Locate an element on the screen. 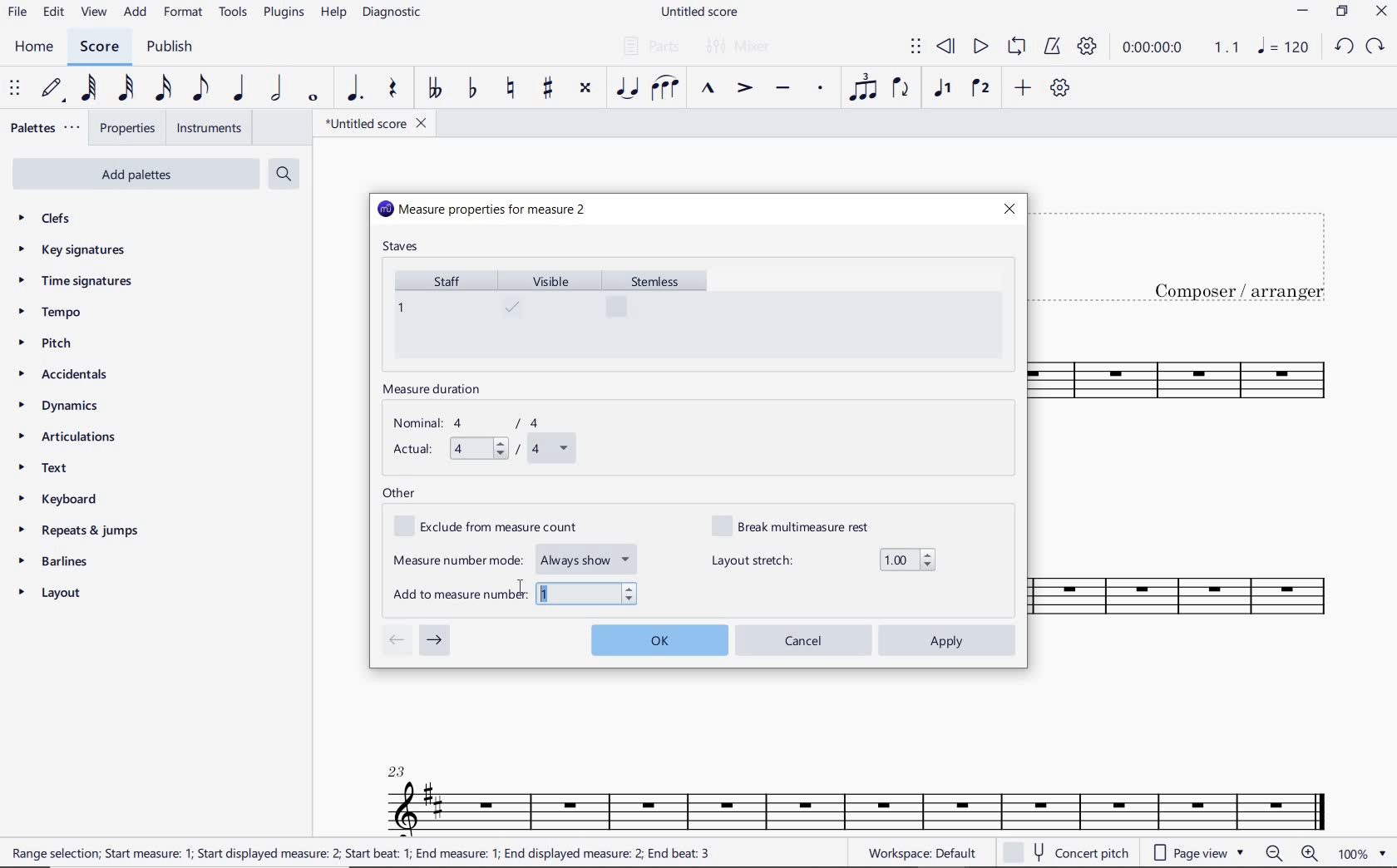  FILE NAME is located at coordinates (703, 12).